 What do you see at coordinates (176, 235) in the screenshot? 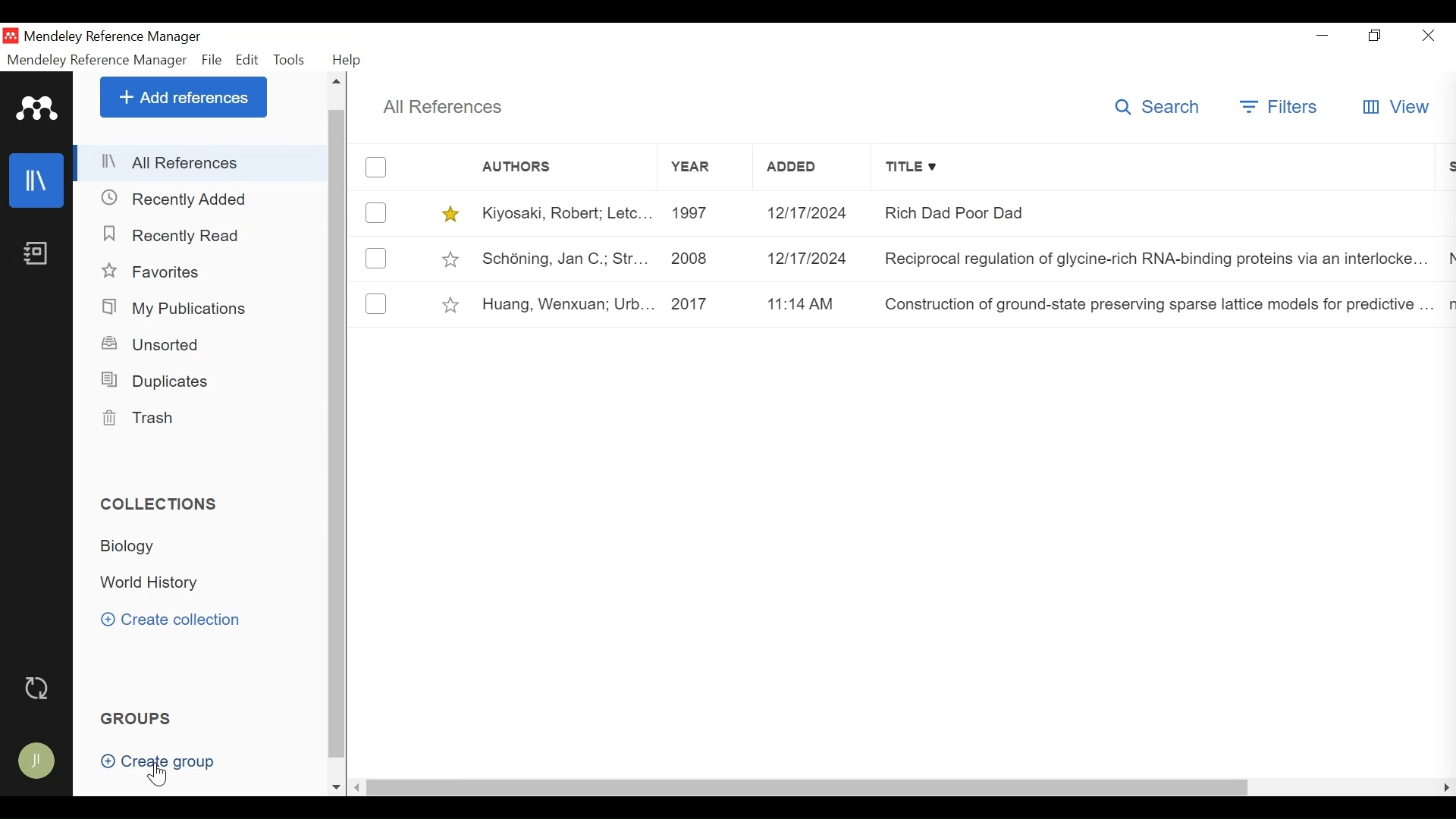
I see `Recently Added` at bounding box center [176, 235].